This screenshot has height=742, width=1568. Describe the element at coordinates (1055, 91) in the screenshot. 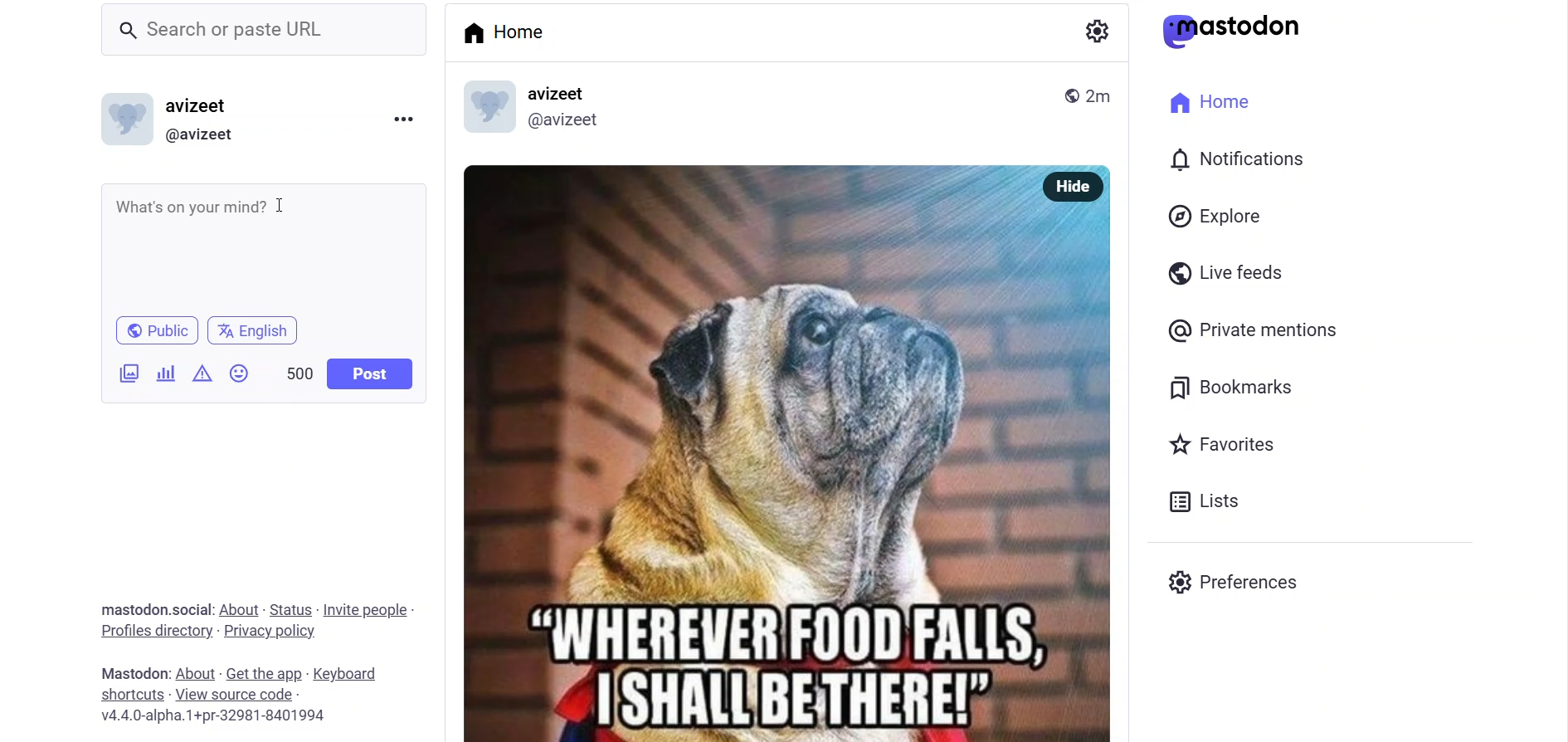

I see `public` at that location.